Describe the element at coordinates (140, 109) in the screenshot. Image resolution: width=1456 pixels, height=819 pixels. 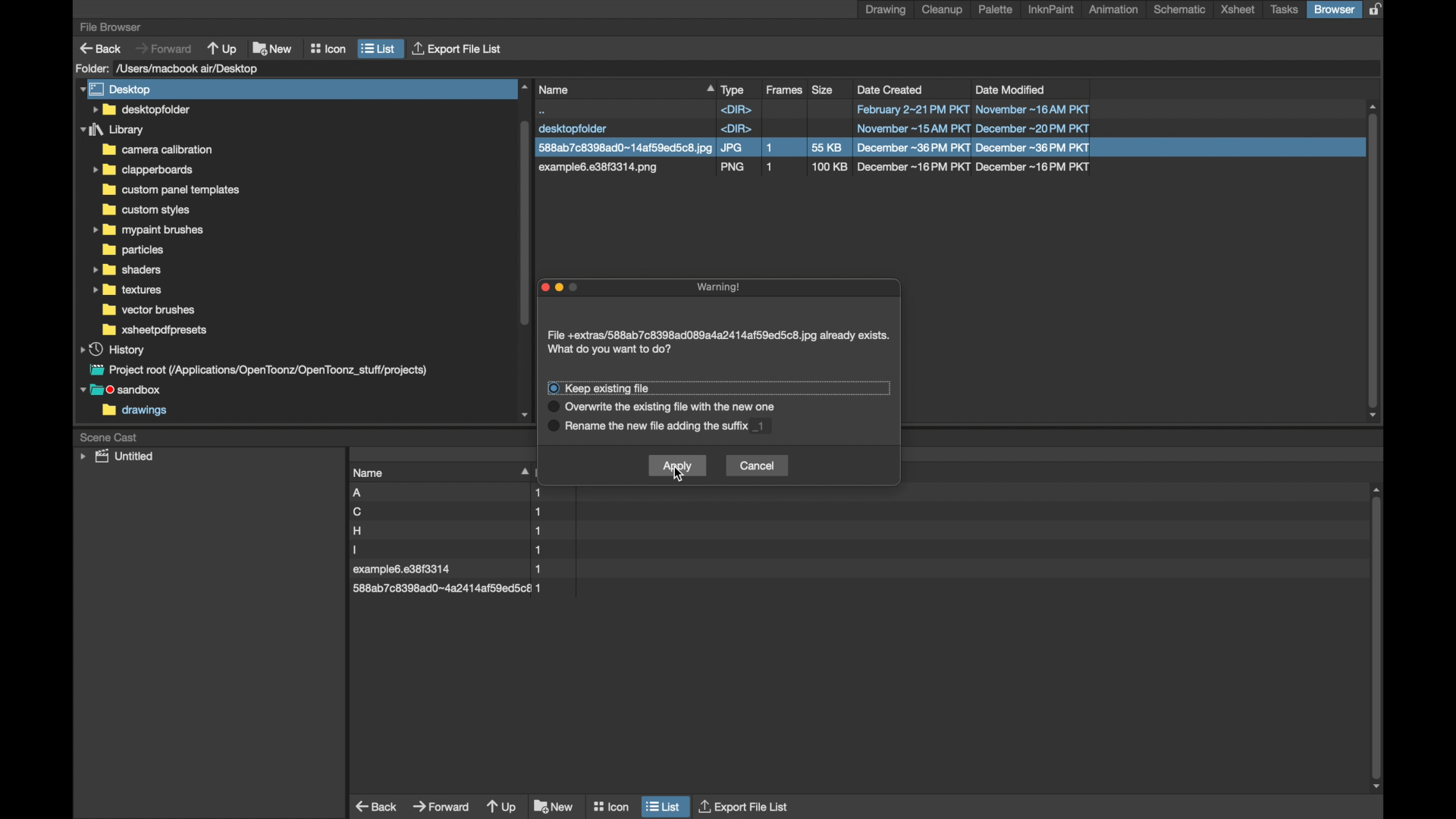
I see `folder` at that location.